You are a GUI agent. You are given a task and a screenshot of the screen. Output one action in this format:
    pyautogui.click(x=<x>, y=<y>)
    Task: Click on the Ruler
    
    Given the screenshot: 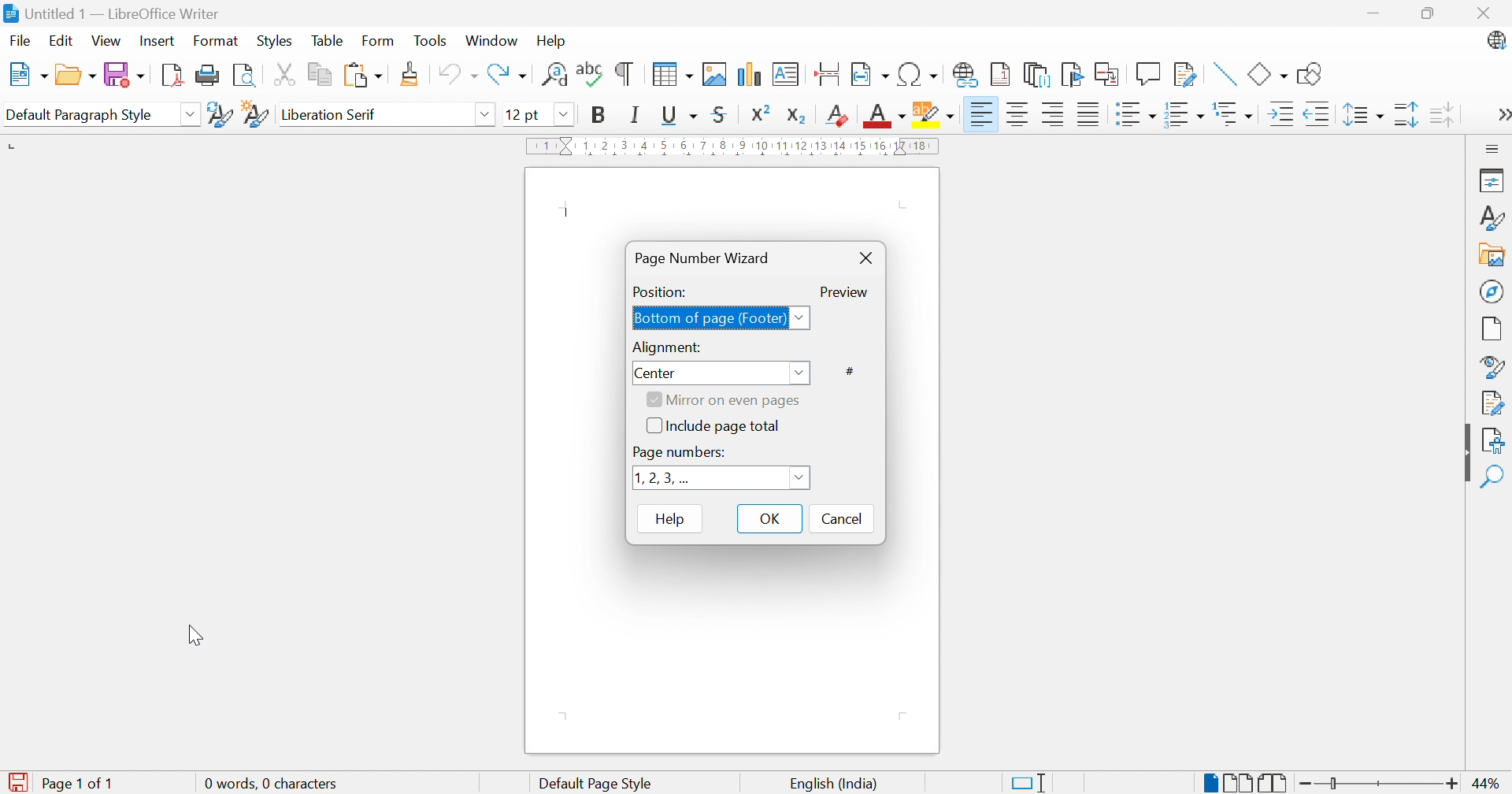 What is the action you would take?
    pyautogui.click(x=735, y=147)
    